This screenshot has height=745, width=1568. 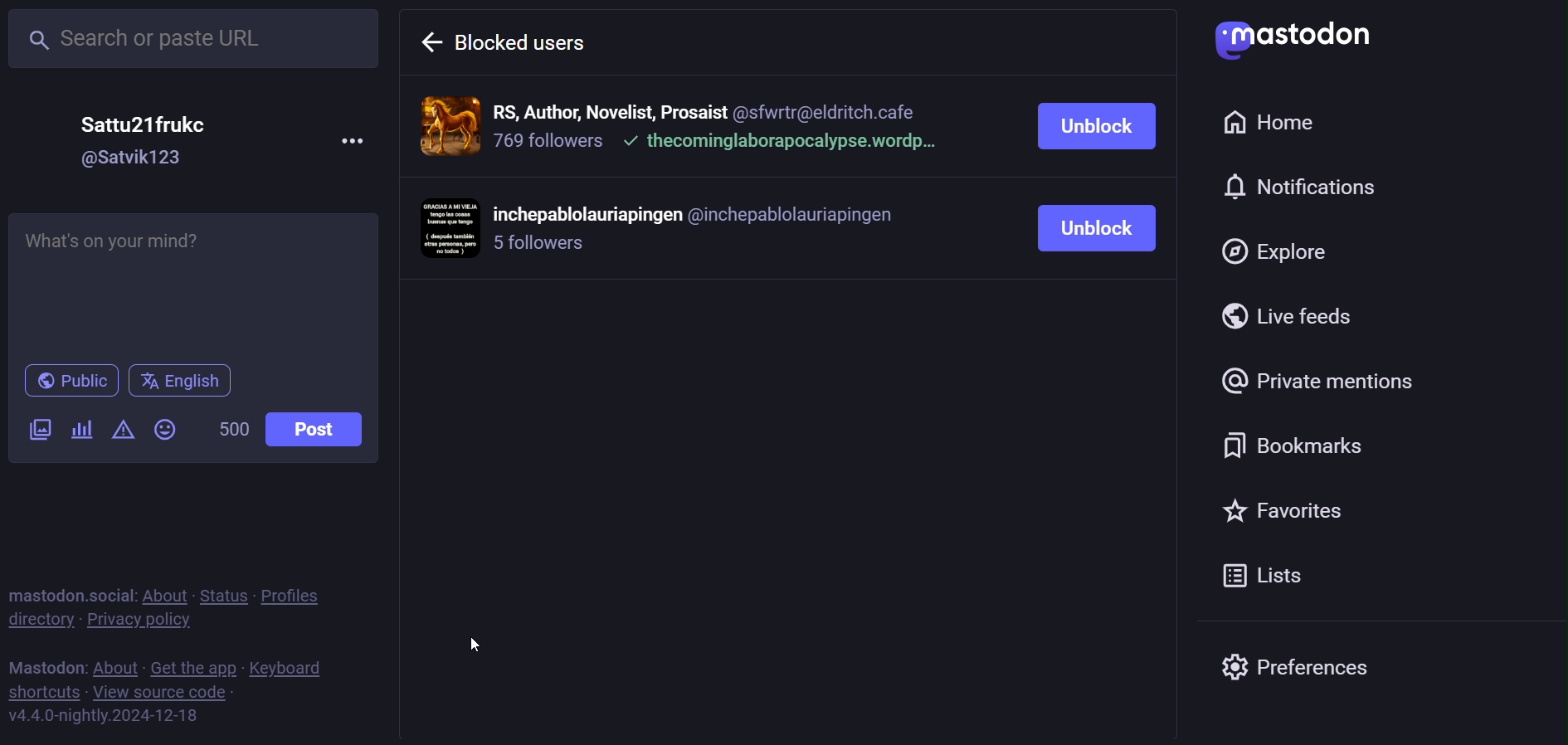 What do you see at coordinates (178, 380) in the screenshot?
I see `english` at bounding box center [178, 380].